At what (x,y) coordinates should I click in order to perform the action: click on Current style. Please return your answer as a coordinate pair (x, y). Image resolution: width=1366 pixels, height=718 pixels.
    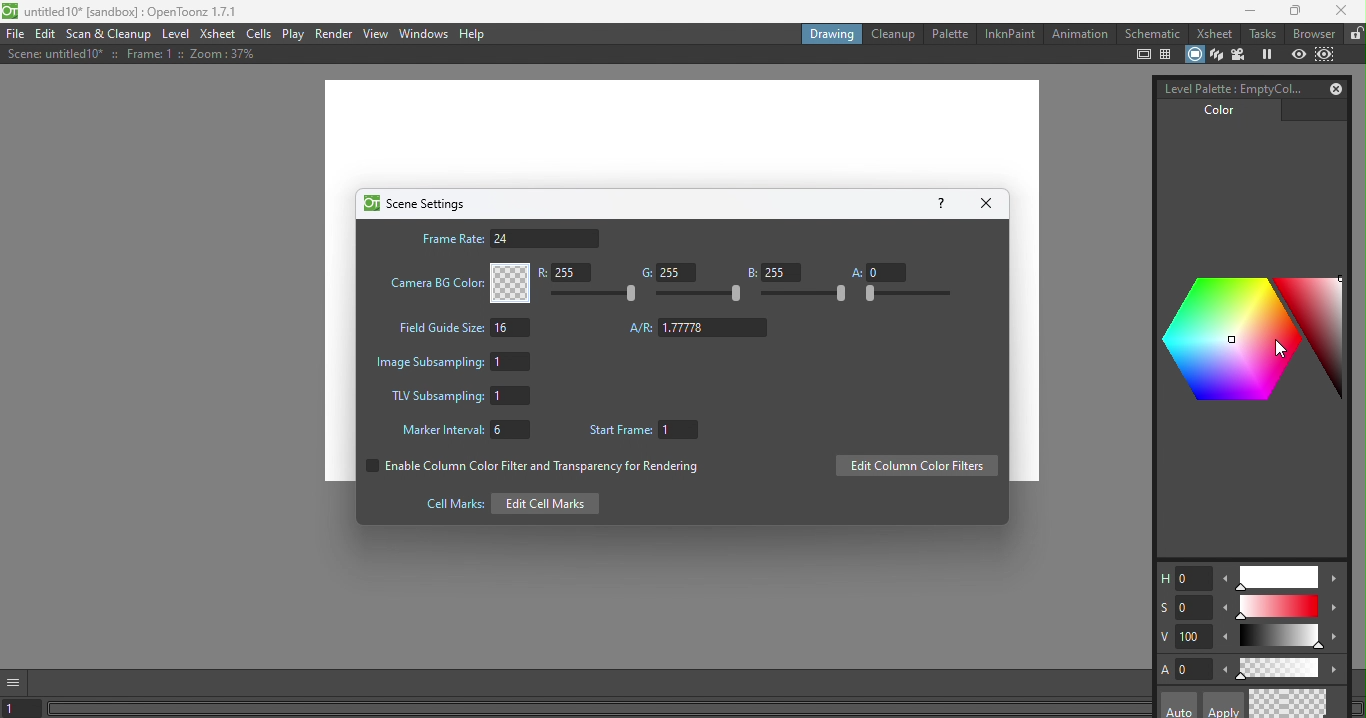
    Looking at the image, I should click on (1269, 704).